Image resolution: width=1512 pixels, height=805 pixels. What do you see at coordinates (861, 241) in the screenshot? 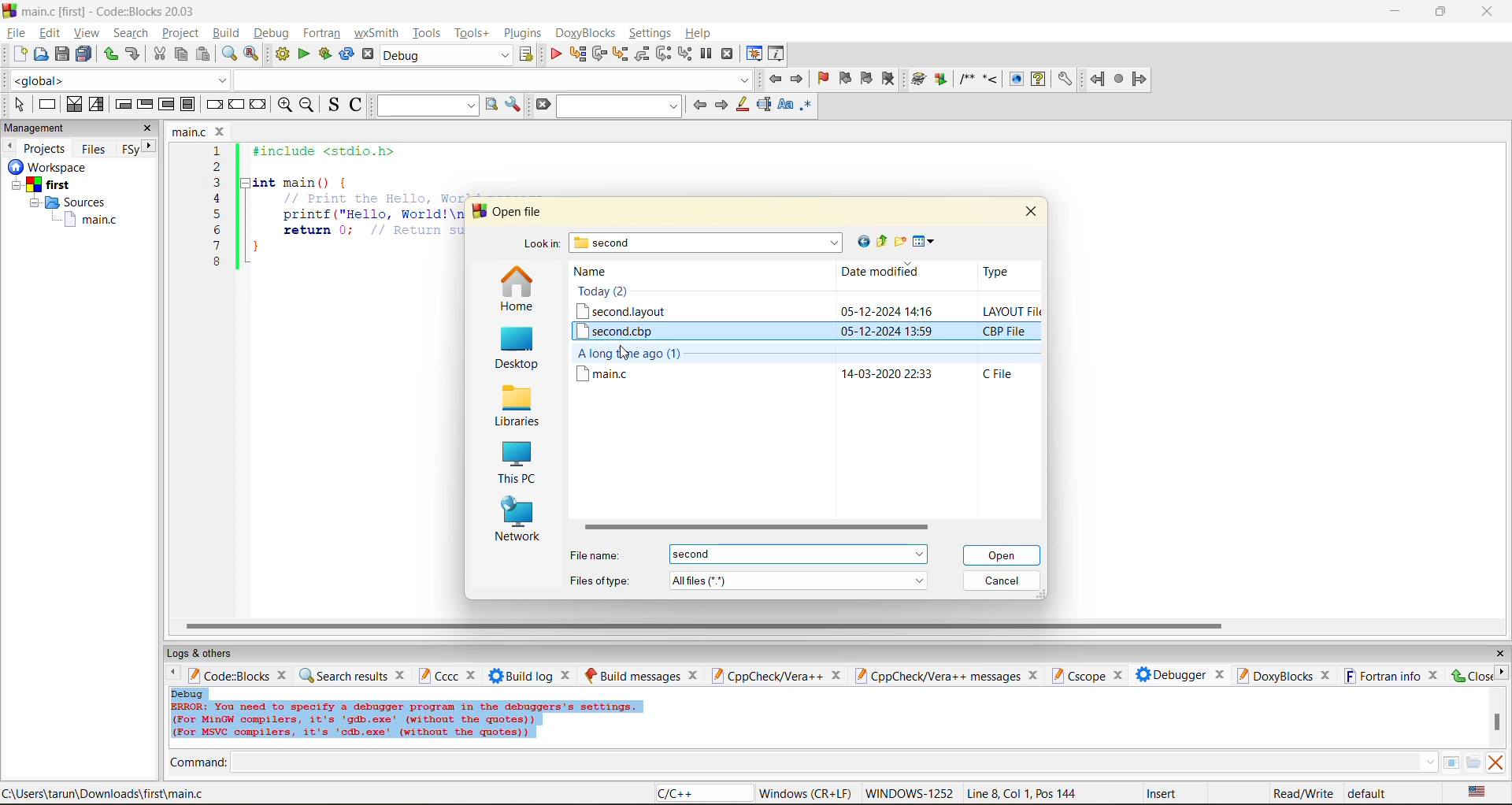
I see `go to last` at bounding box center [861, 241].